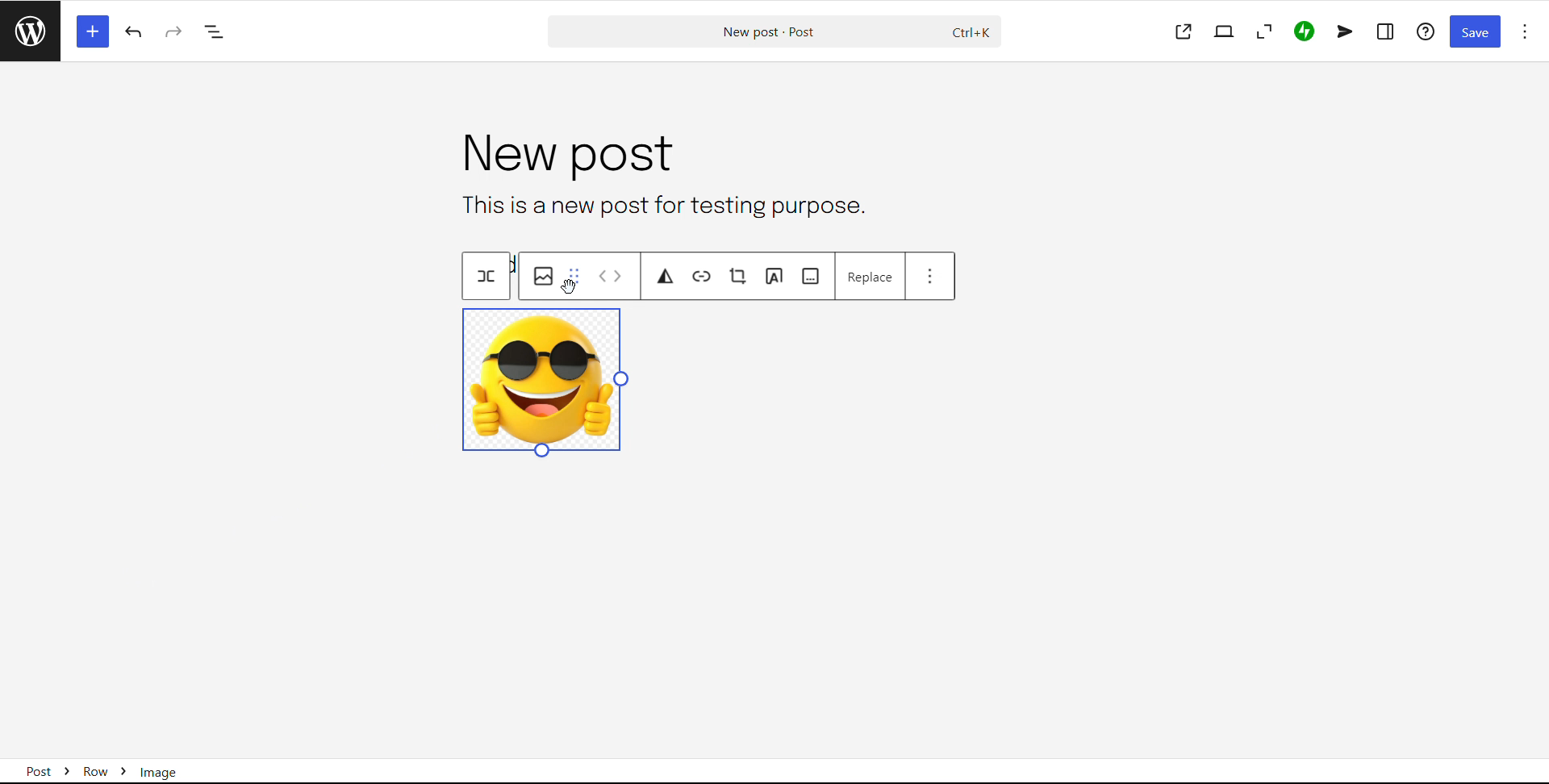  Describe the element at coordinates (1386, 31) in the screenshot. I see `settings` at that location.